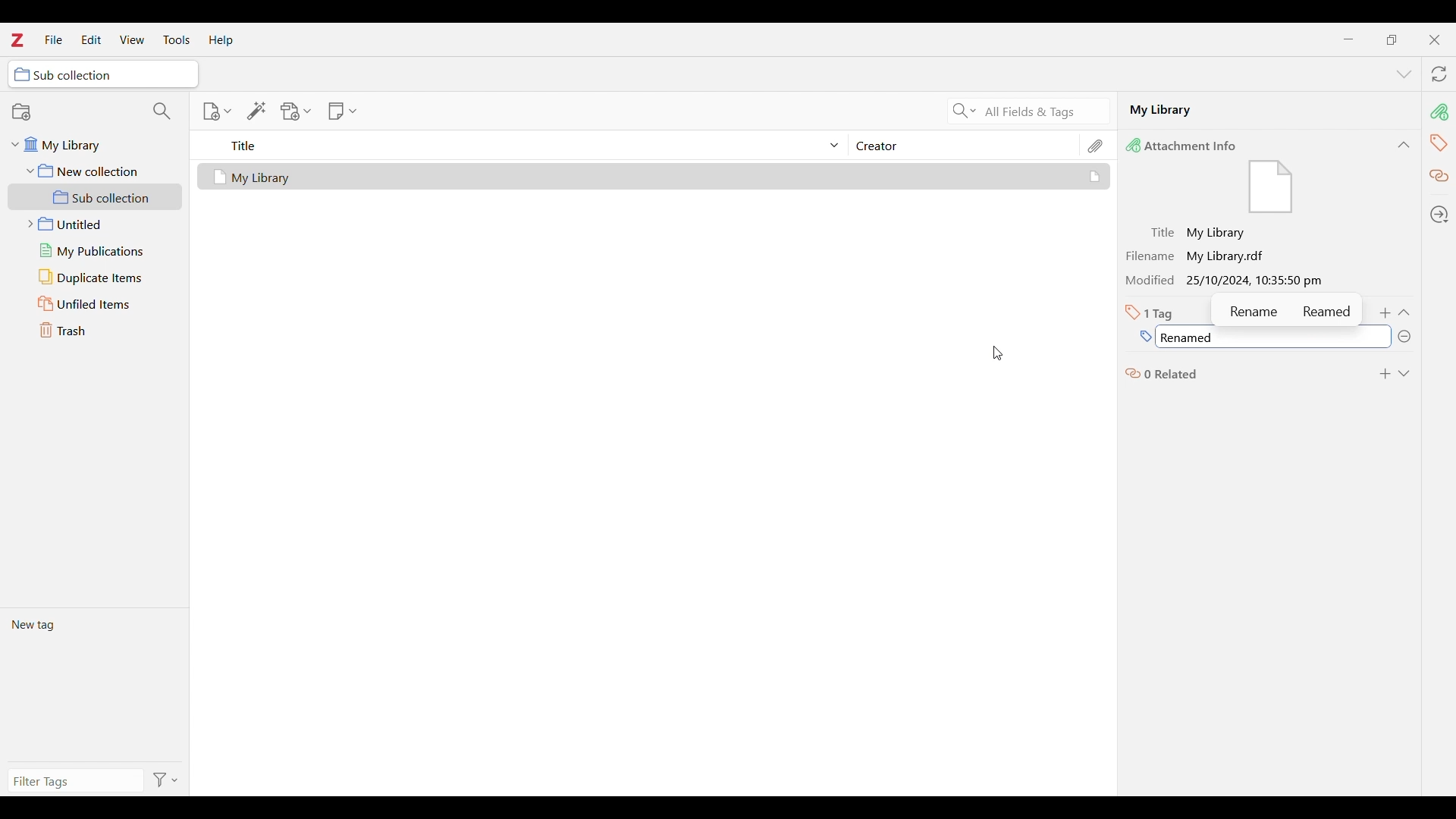 The image size is (1456, 819). What do you see at coordinates (96, 278) in the screenshot?
I see `Duplicate items folder` at bounding box center [96, 278].